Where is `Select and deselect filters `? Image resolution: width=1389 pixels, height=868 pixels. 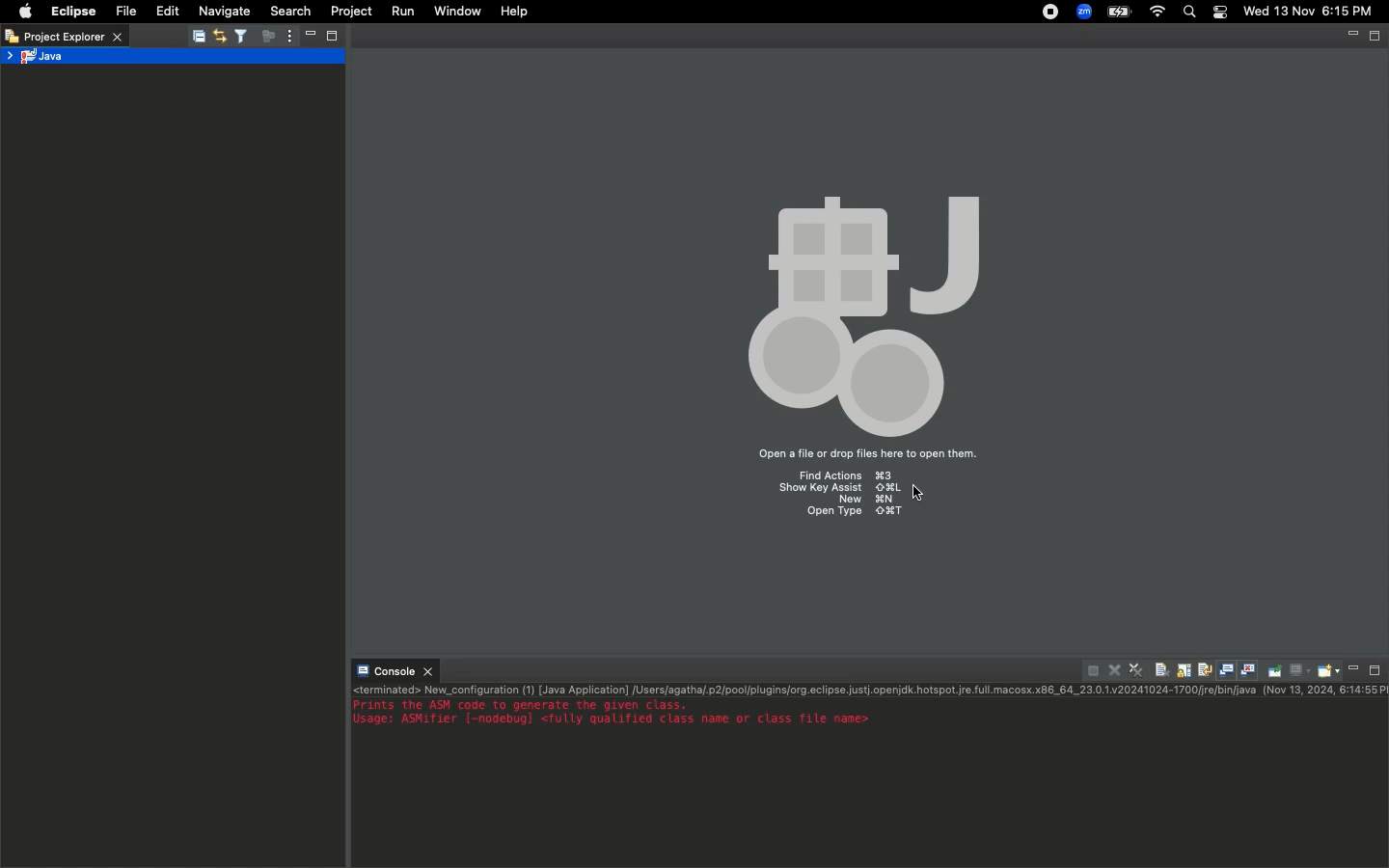 Select and deselect filters  is located at coordinates (241, 38).